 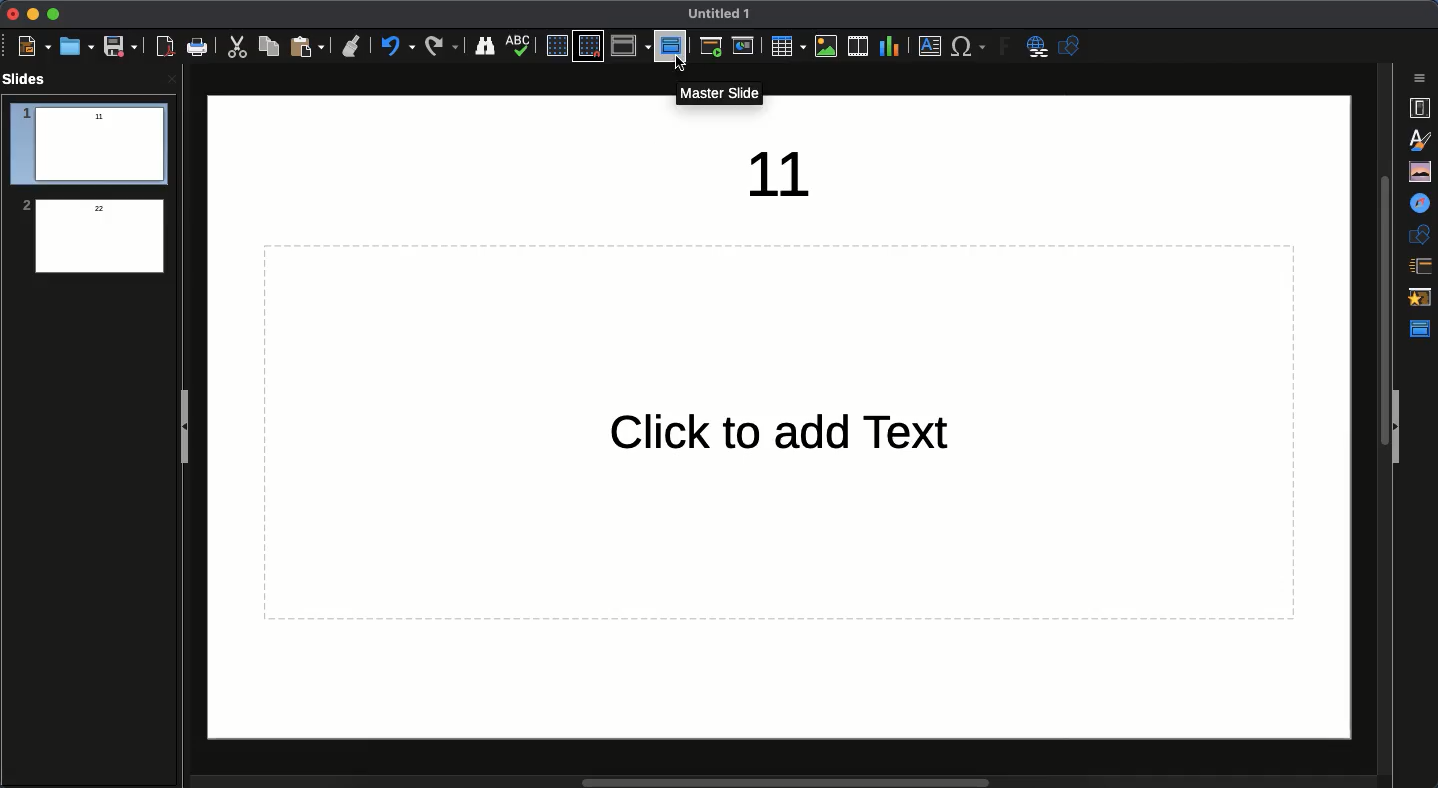 I want to click on Collapse, so click(x=1398, y=428).